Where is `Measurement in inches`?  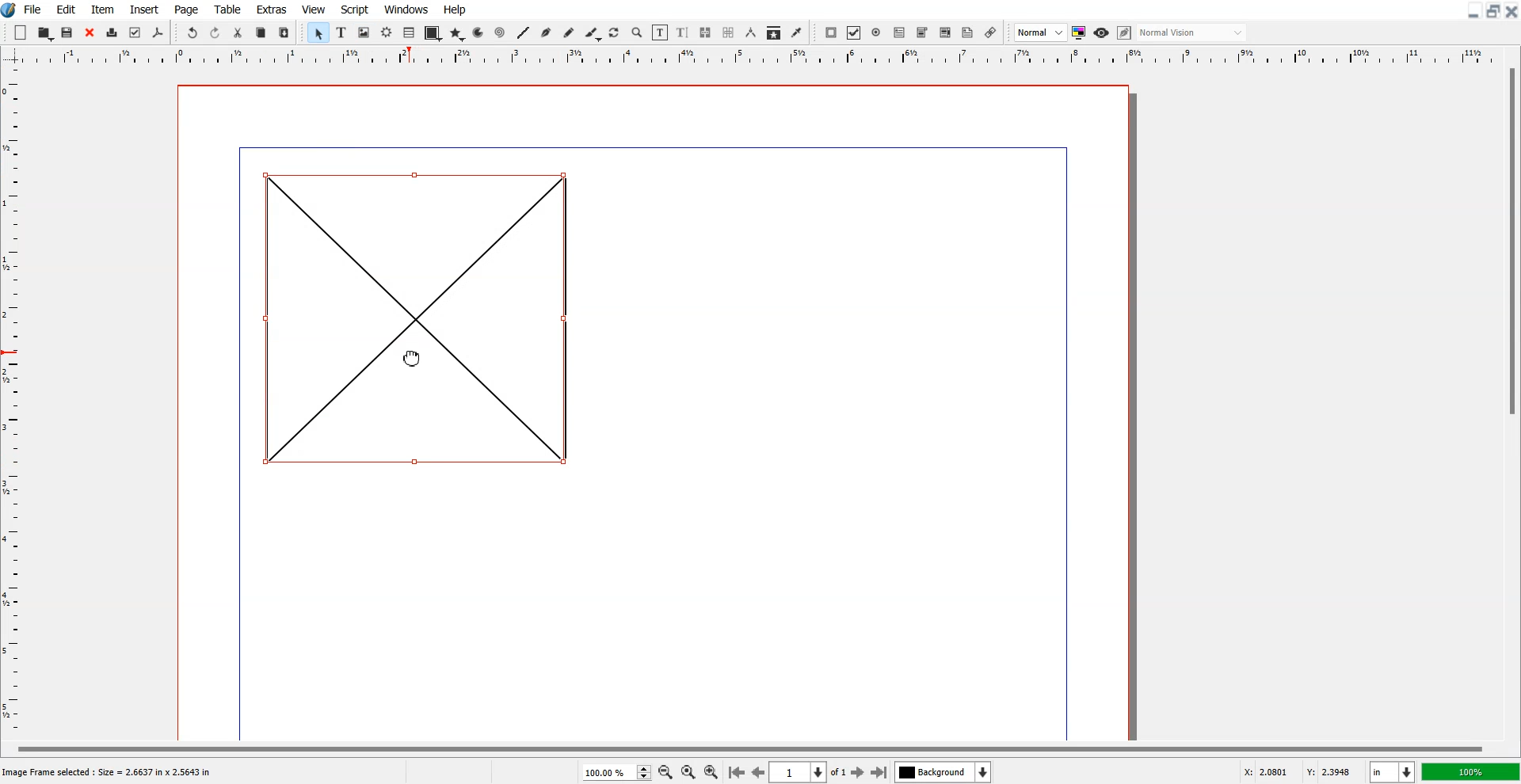 Measurement in inches is located at coordinates (1393, 771).